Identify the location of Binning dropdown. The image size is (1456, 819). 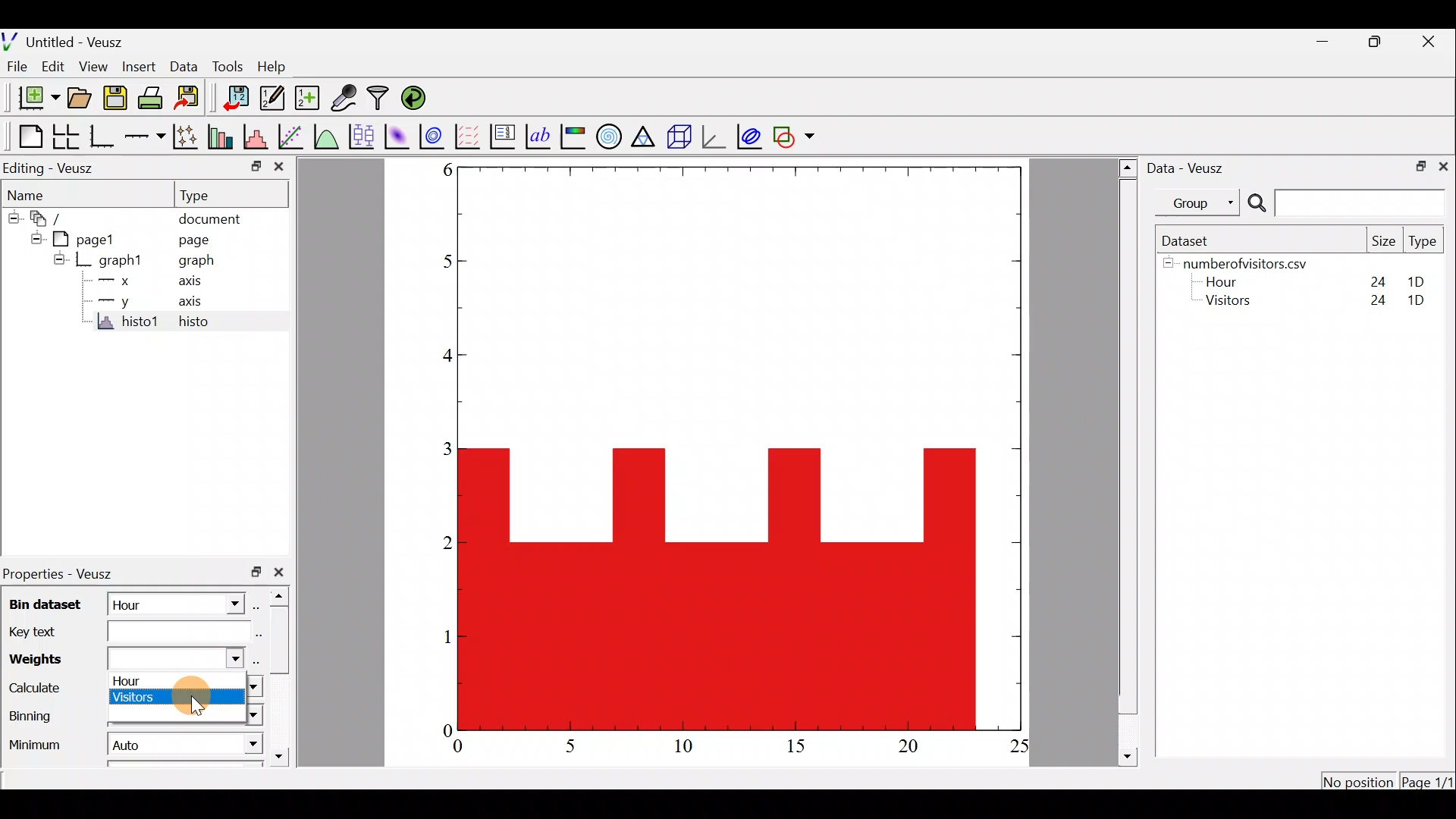
(249, 717).